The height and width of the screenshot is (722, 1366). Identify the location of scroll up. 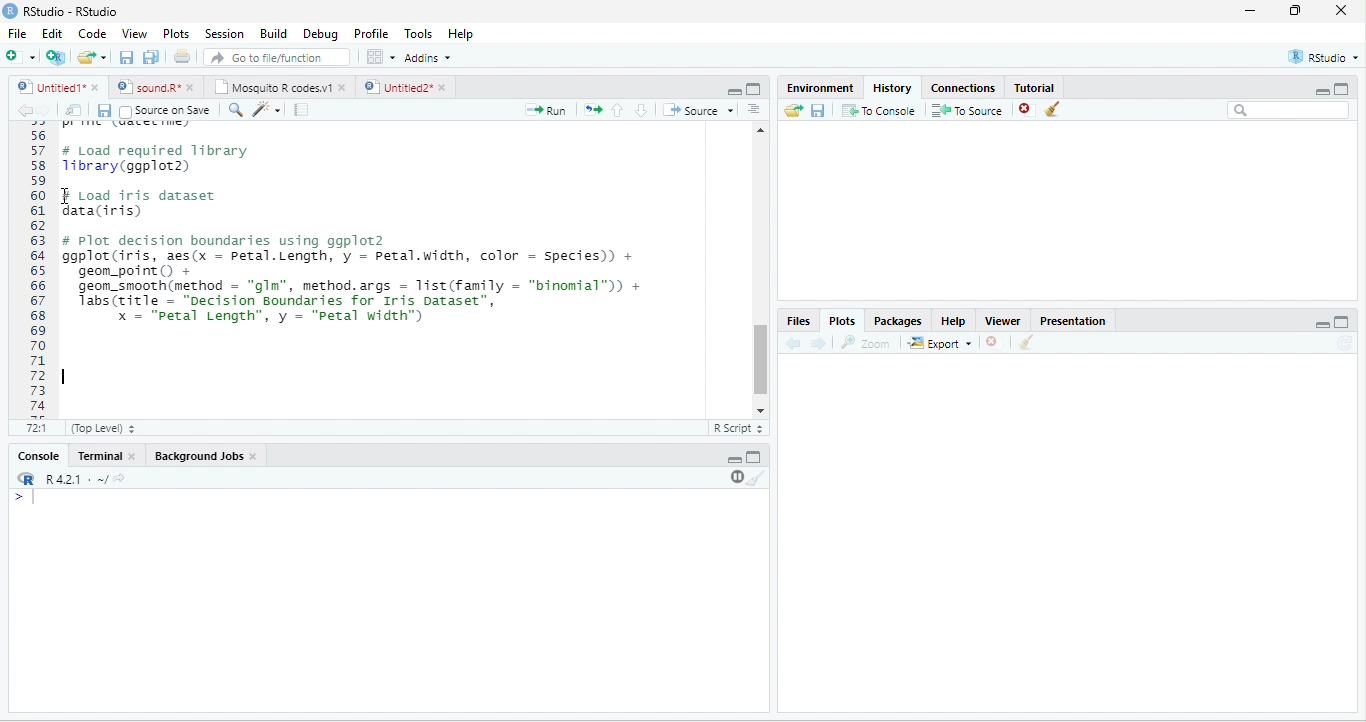
(761, 130).